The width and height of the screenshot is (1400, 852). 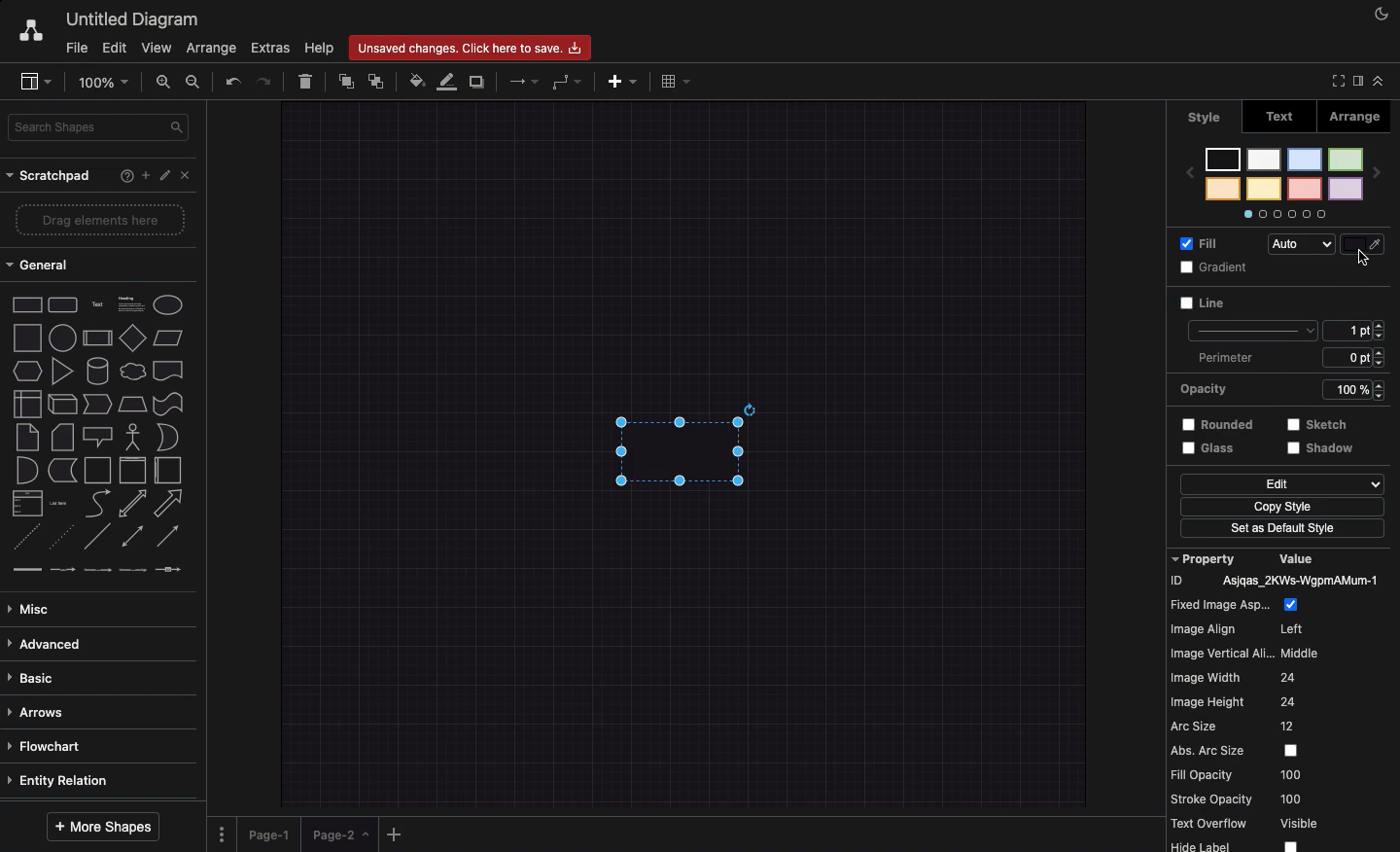 What do you see at coordinates (189, 176) in the screenshot?
I see `Close` at bounding box center [189, 176].